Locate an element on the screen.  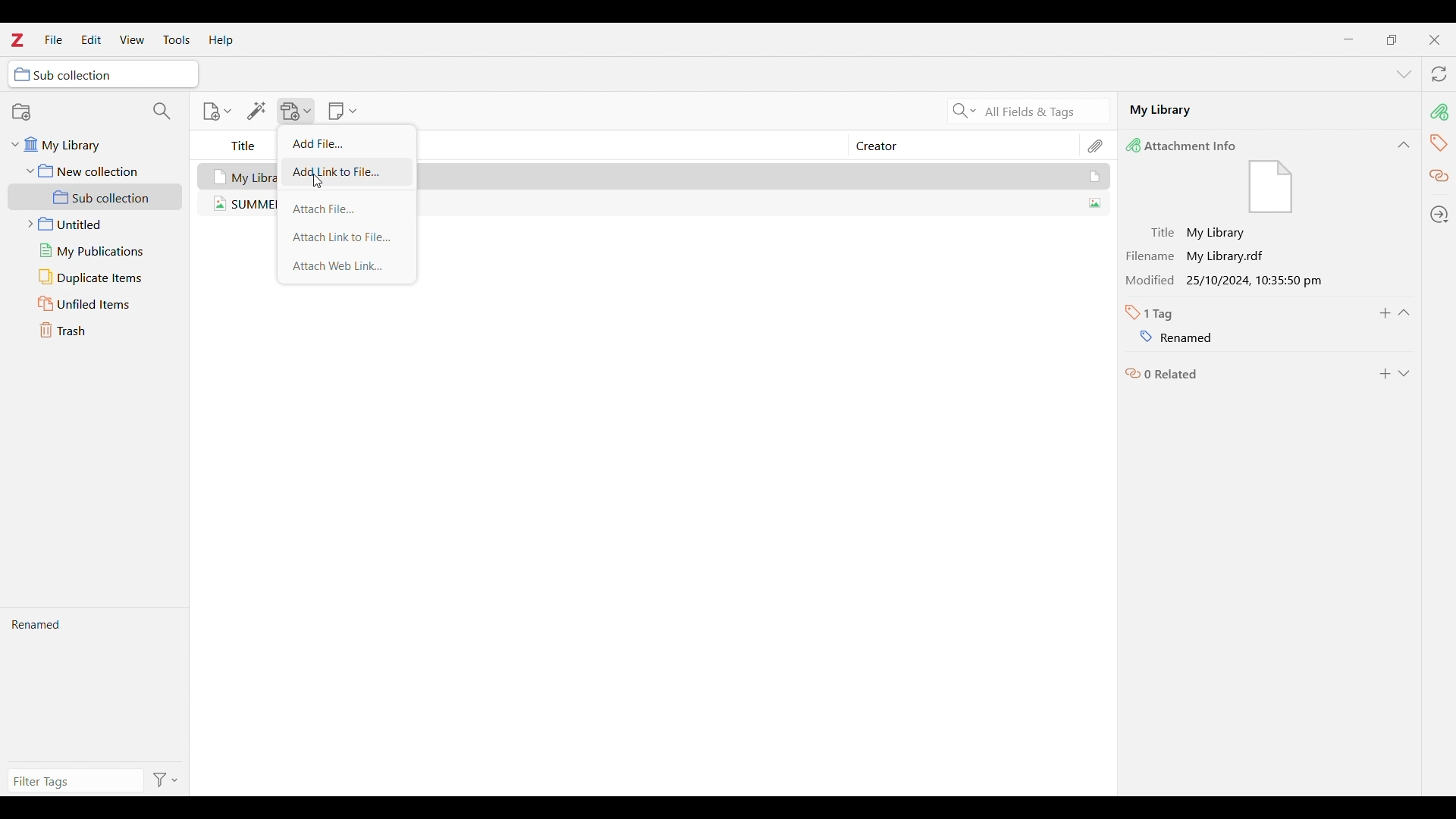
Duplicate items folder is located at coordinates (99, 277).